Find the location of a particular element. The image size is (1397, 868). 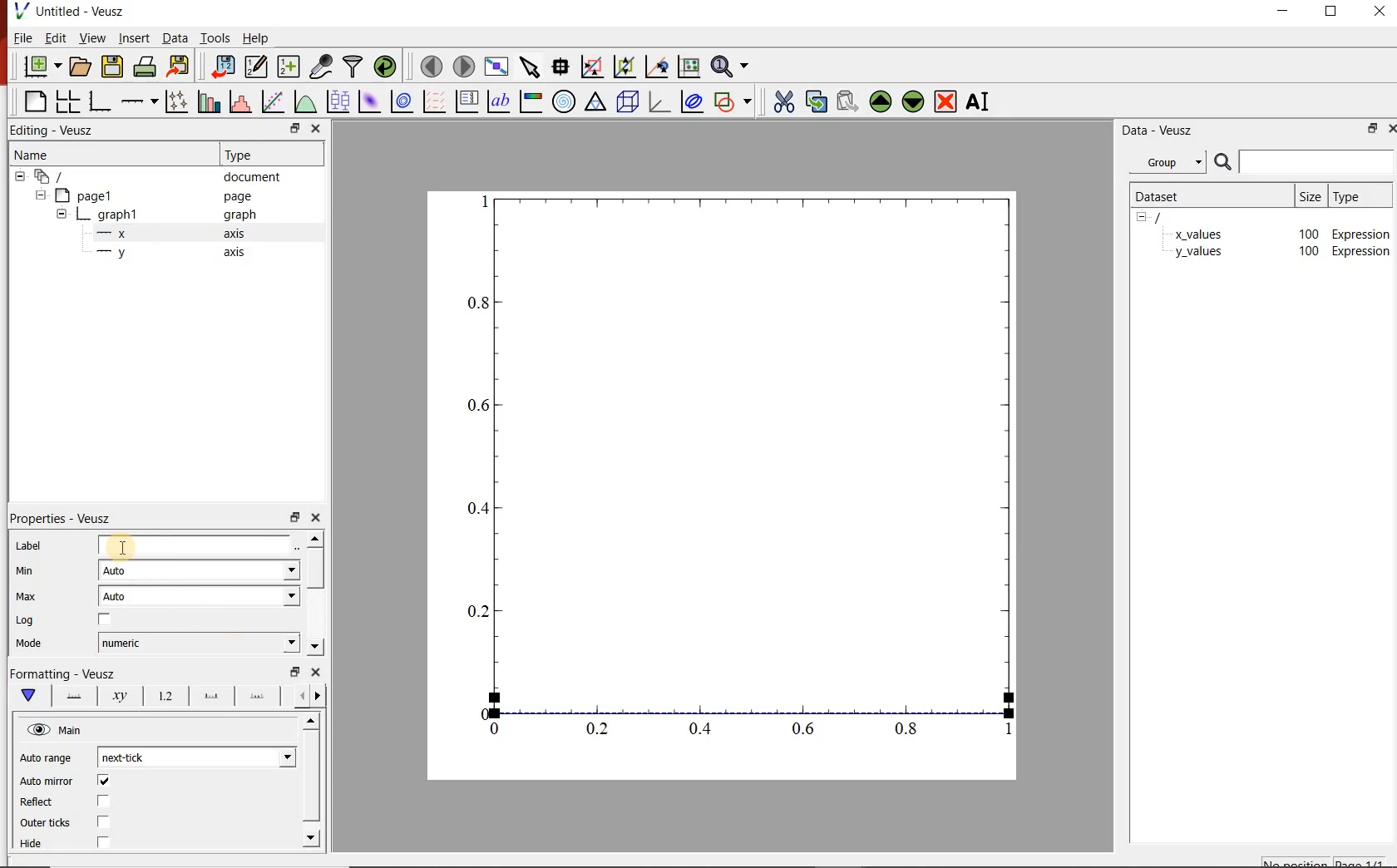

view plot fullscreen is located at coordinates (499, 67).